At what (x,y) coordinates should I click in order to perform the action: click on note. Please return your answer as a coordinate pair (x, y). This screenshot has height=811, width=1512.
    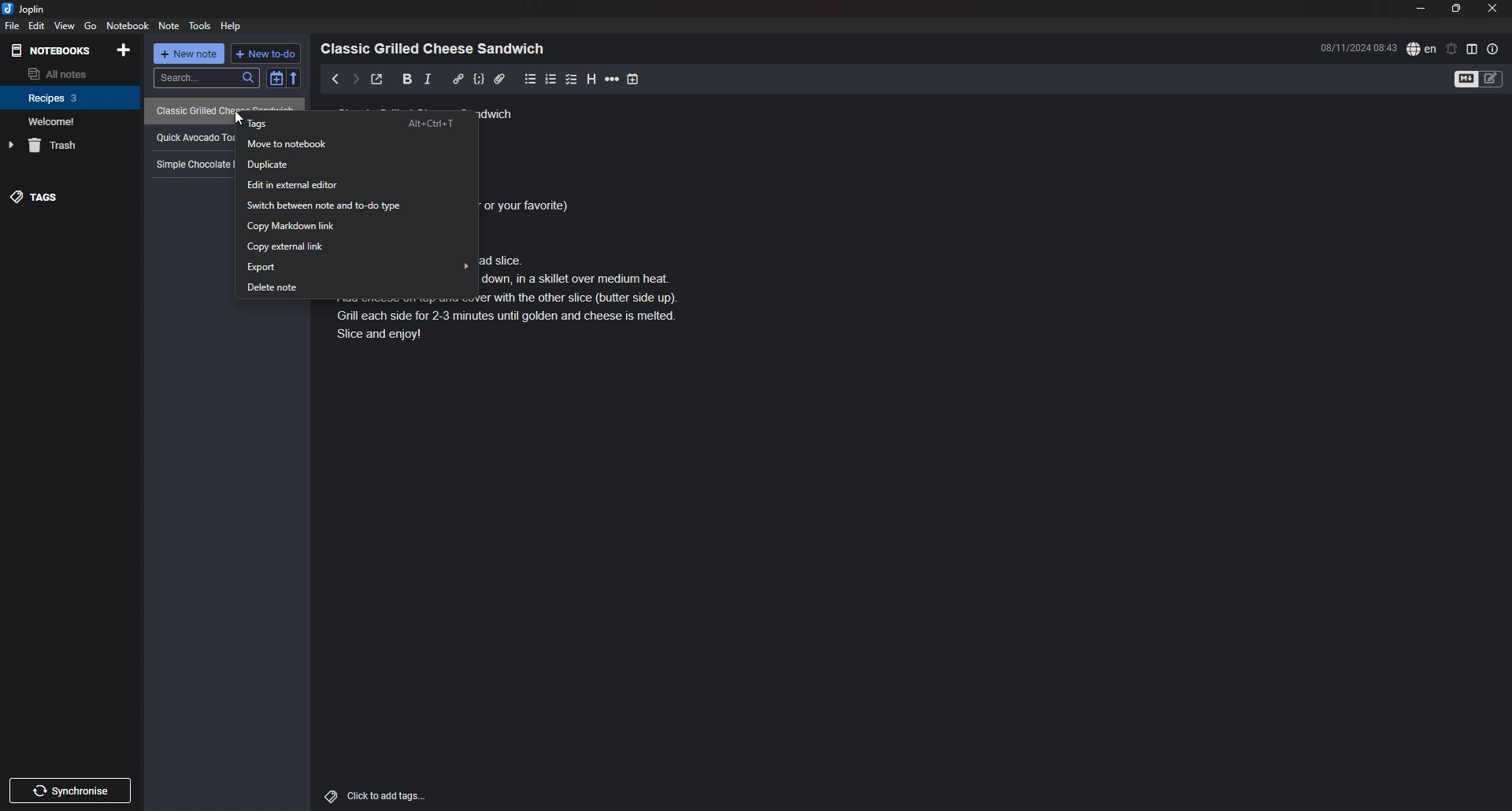
    Looking at the image, I should click on (168, 26).